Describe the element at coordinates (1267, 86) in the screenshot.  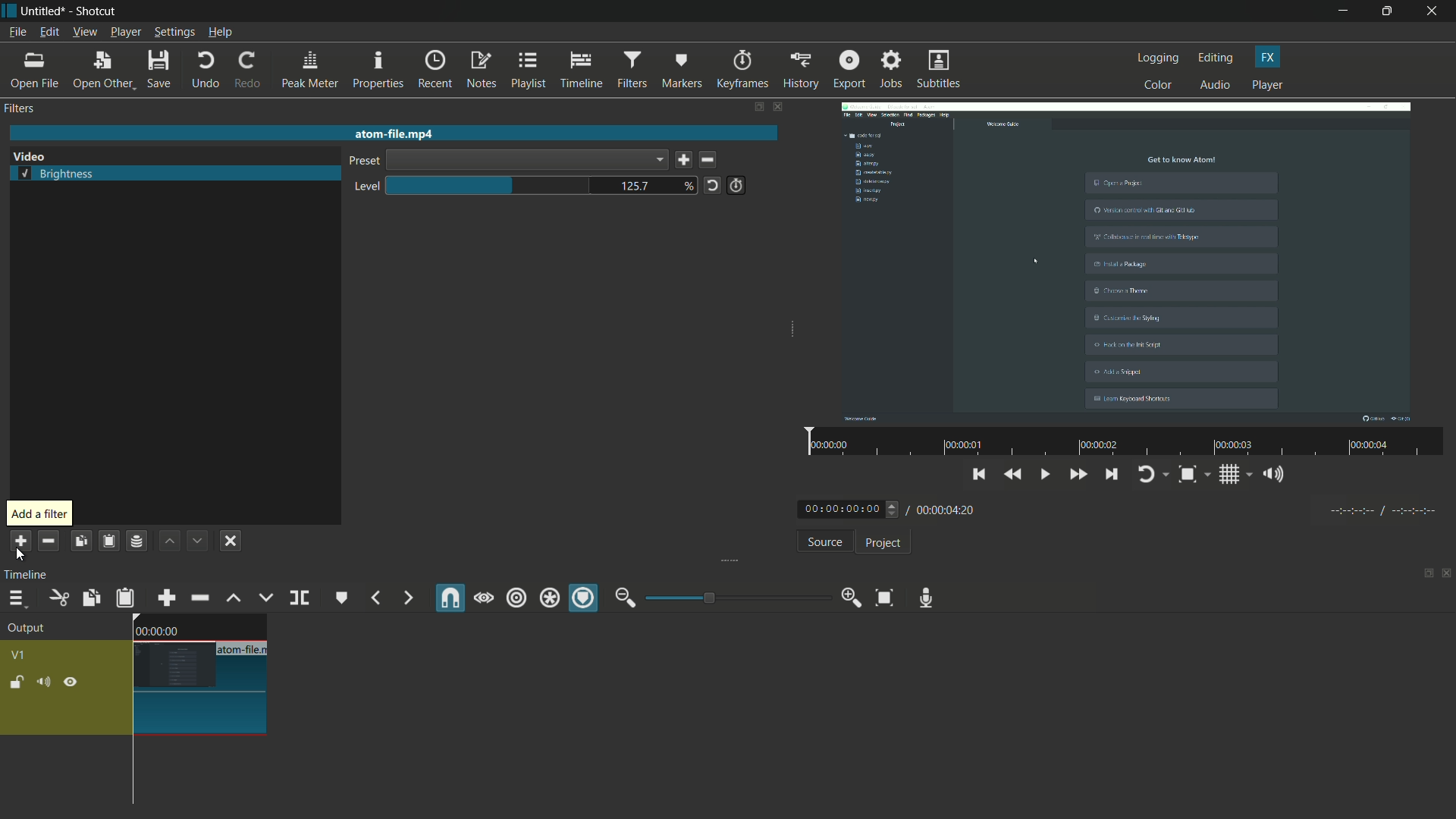
I see `player` at that location.